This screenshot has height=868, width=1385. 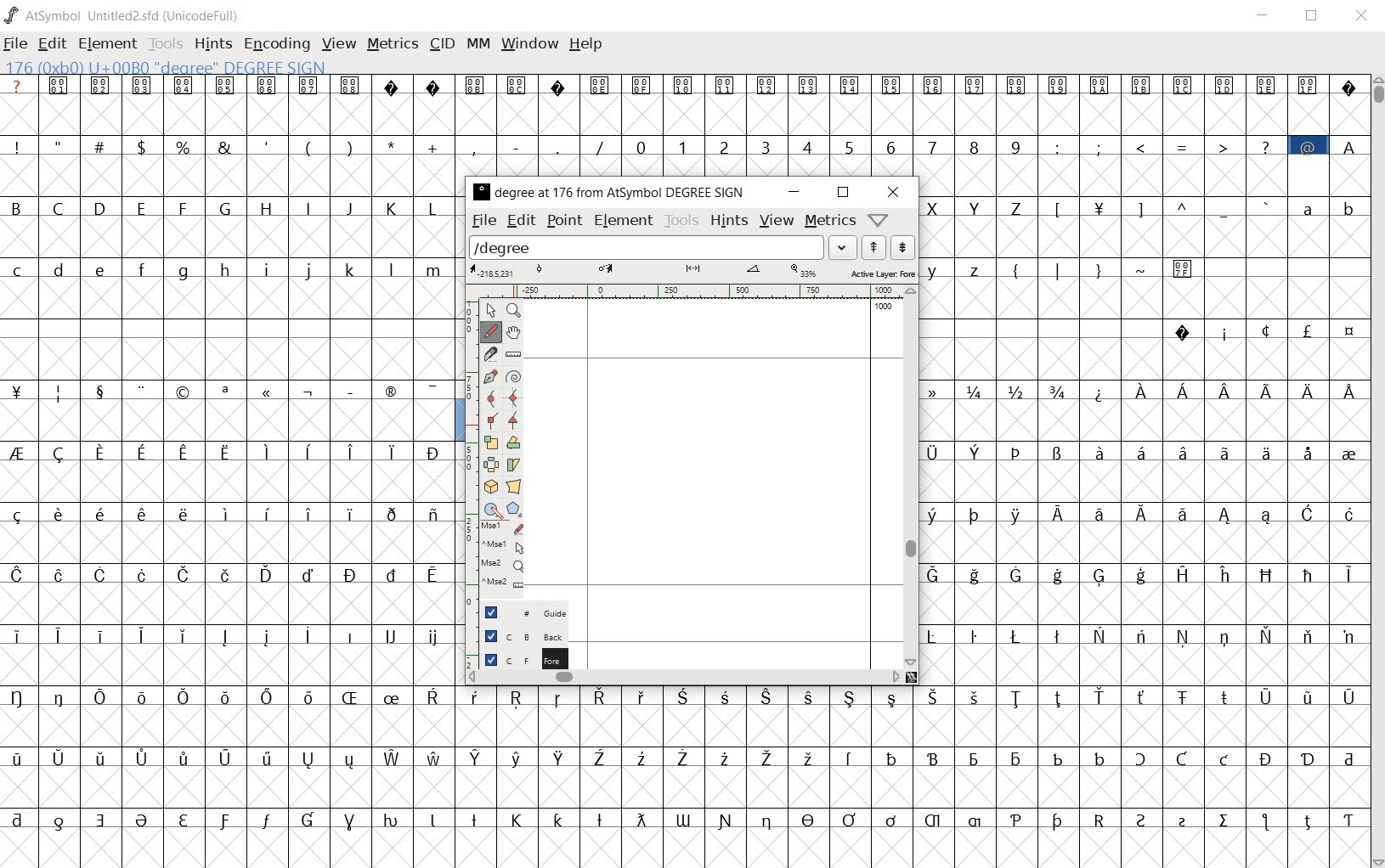 I want to click on empty glyph slots, so click(x=1142, y=237).